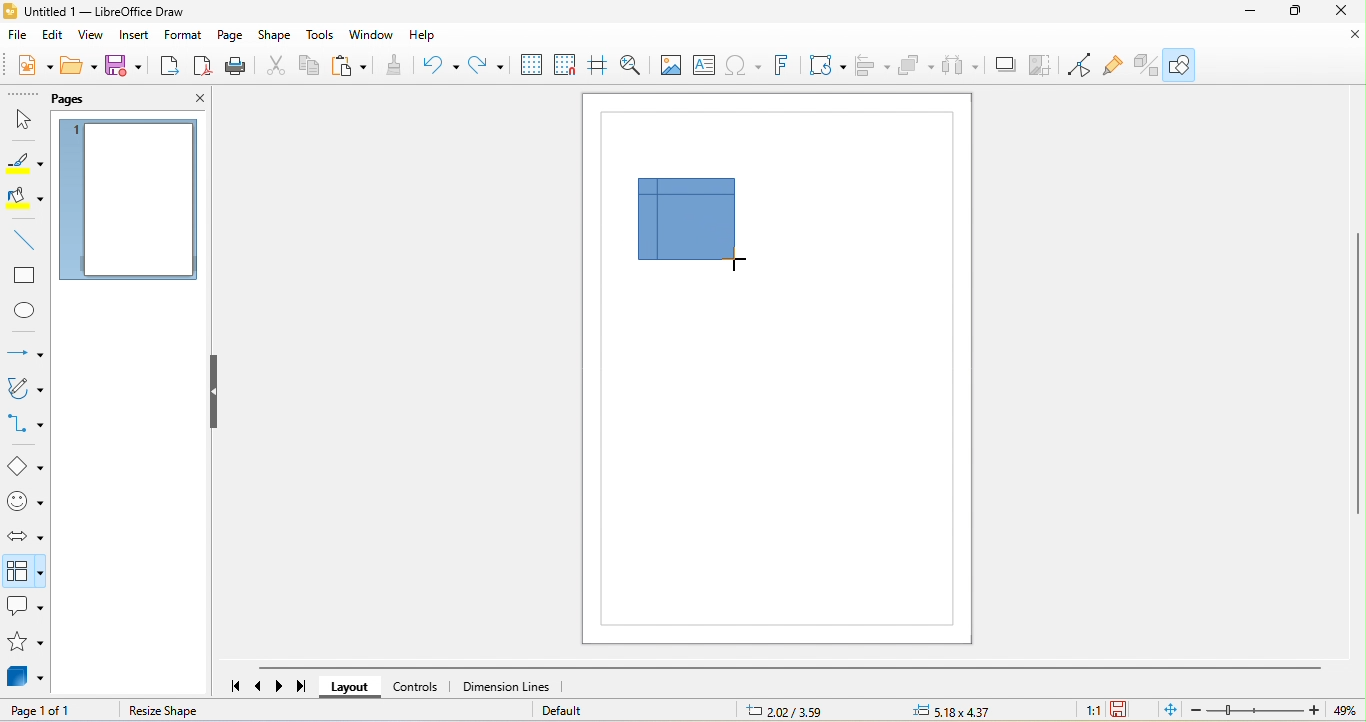 The width and height of the screenshot is (1366, 722). I want to click on undo, so click(441, 66).